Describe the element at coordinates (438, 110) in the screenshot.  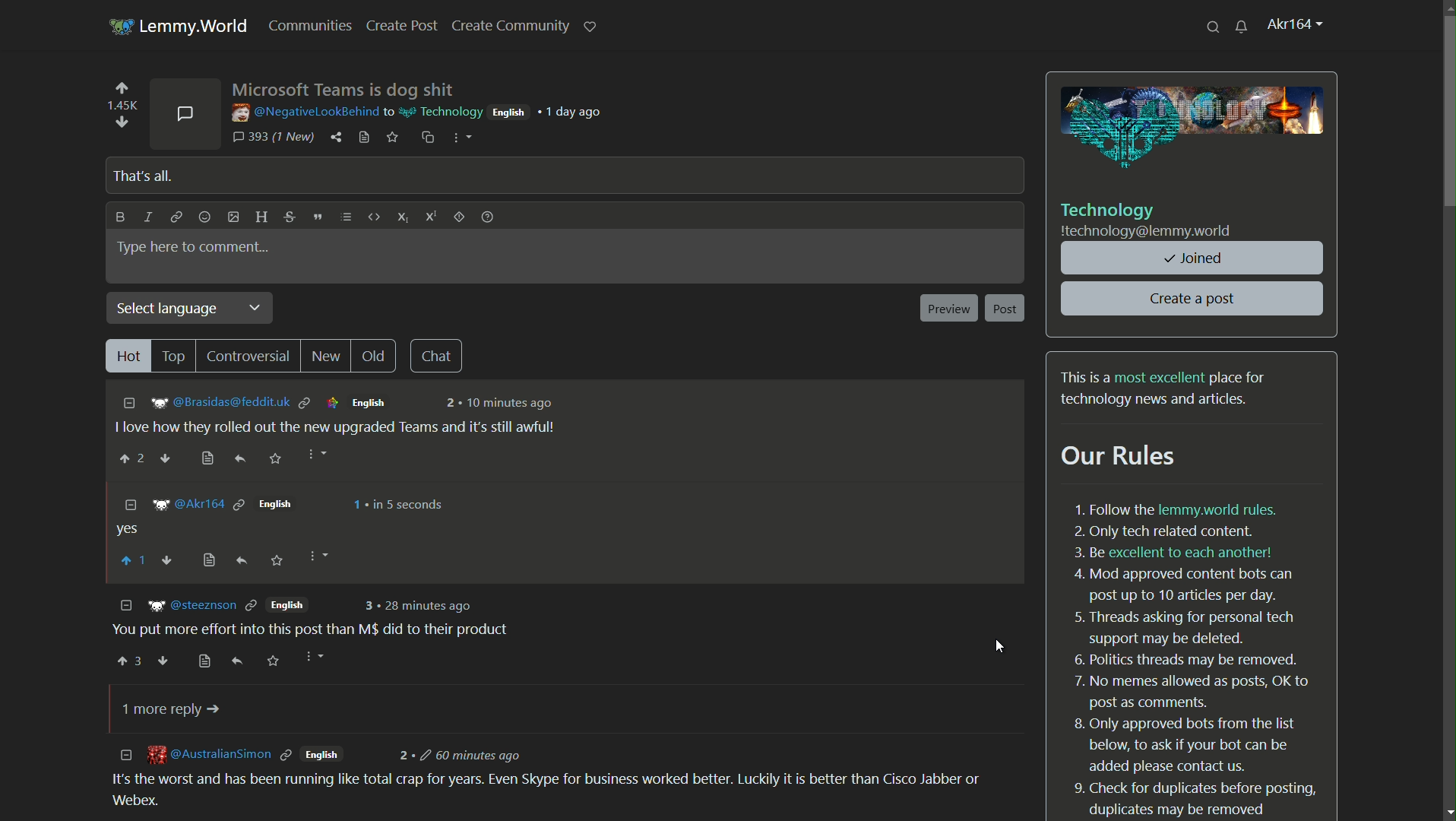
I see `community name` at that location.